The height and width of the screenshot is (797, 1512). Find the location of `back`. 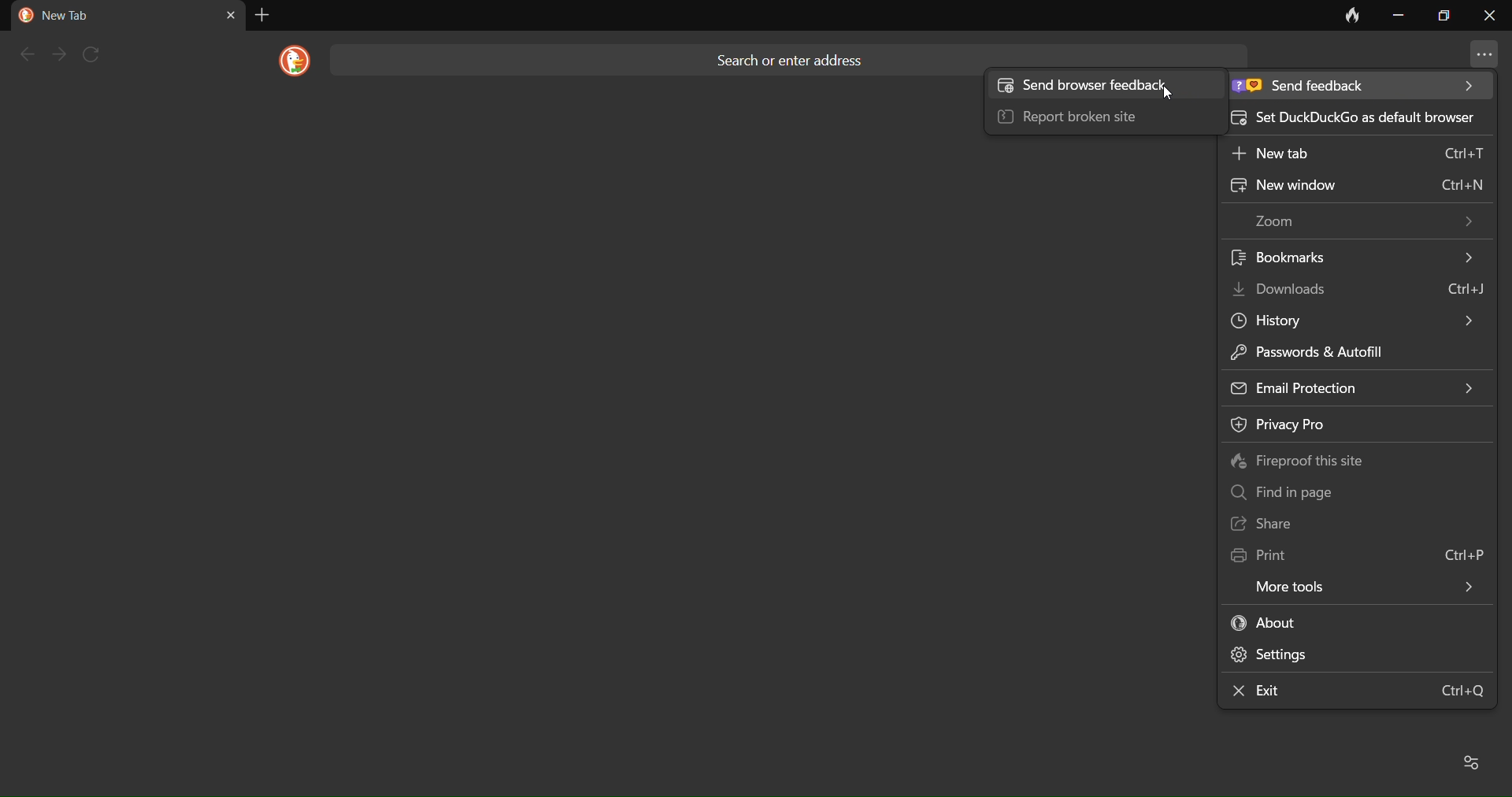

back is located at coordinates (25, 54).